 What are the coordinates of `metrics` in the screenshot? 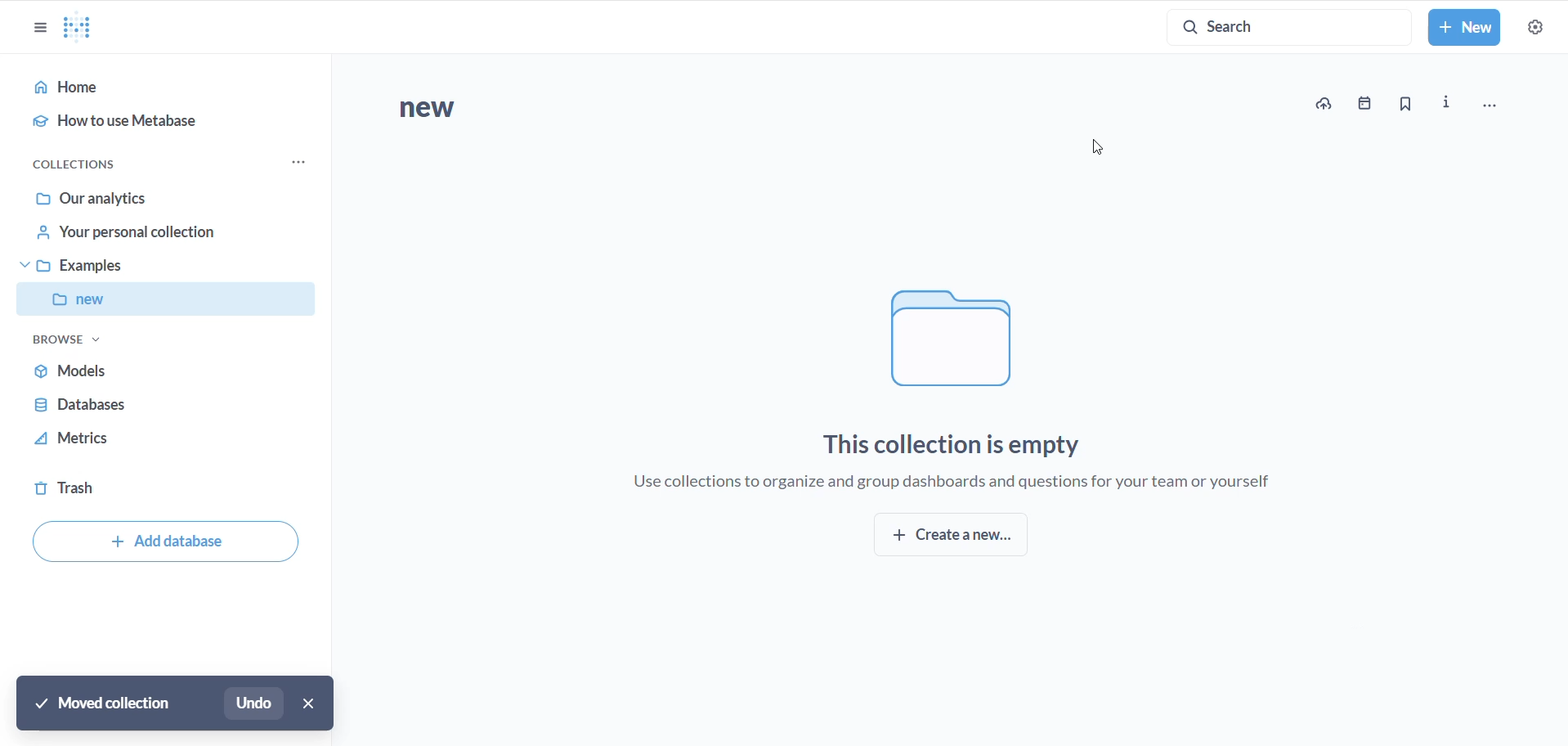 It's located at (121, 443).